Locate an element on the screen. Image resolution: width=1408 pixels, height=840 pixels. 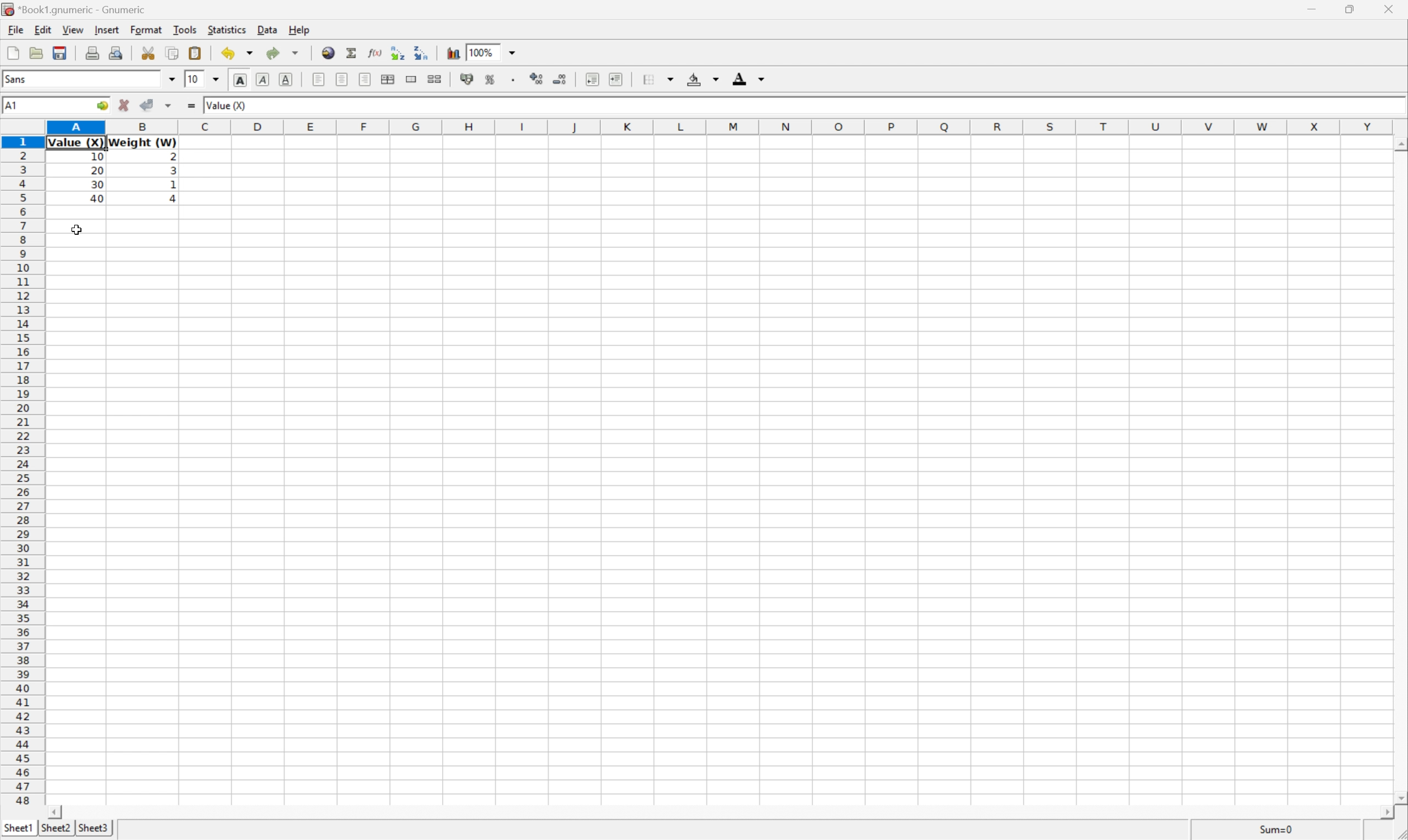
Sum in current cell is located at coordinates (351, 52).